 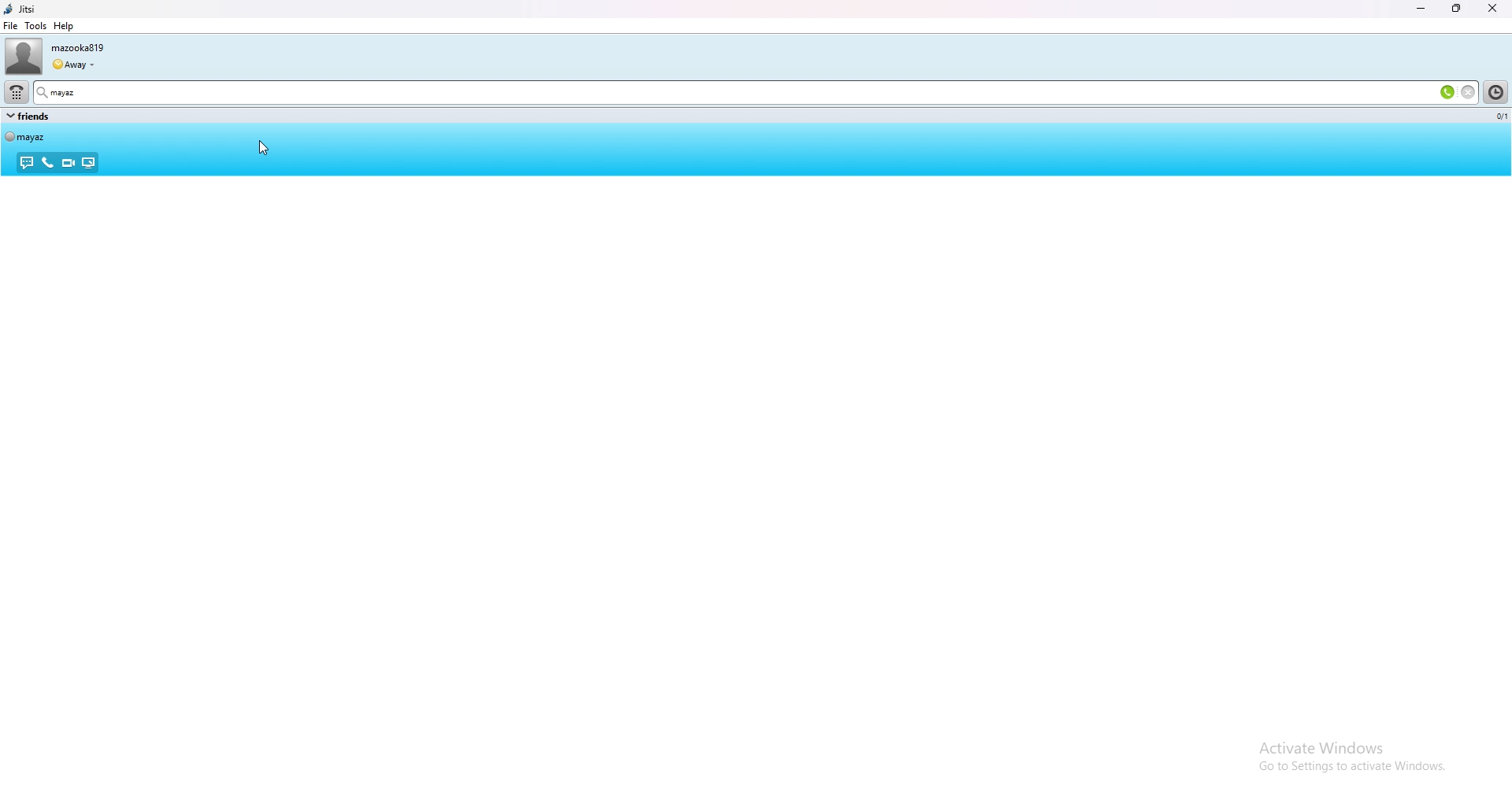 What do you see at coordinates (36, 26) in the screenshot?
I see `tools` at bounding box center [36, 26].